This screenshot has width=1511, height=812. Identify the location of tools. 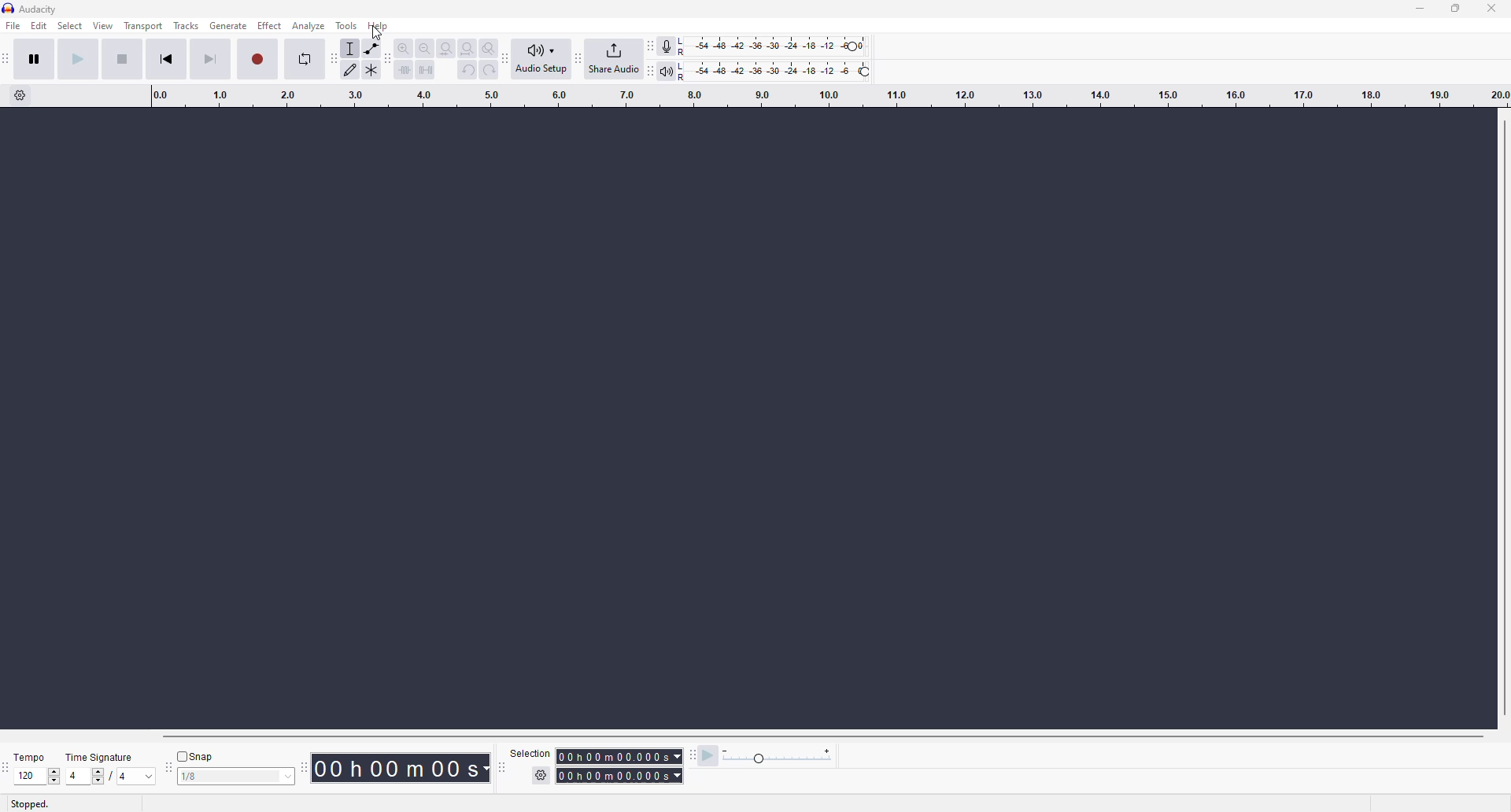
(350, 23).